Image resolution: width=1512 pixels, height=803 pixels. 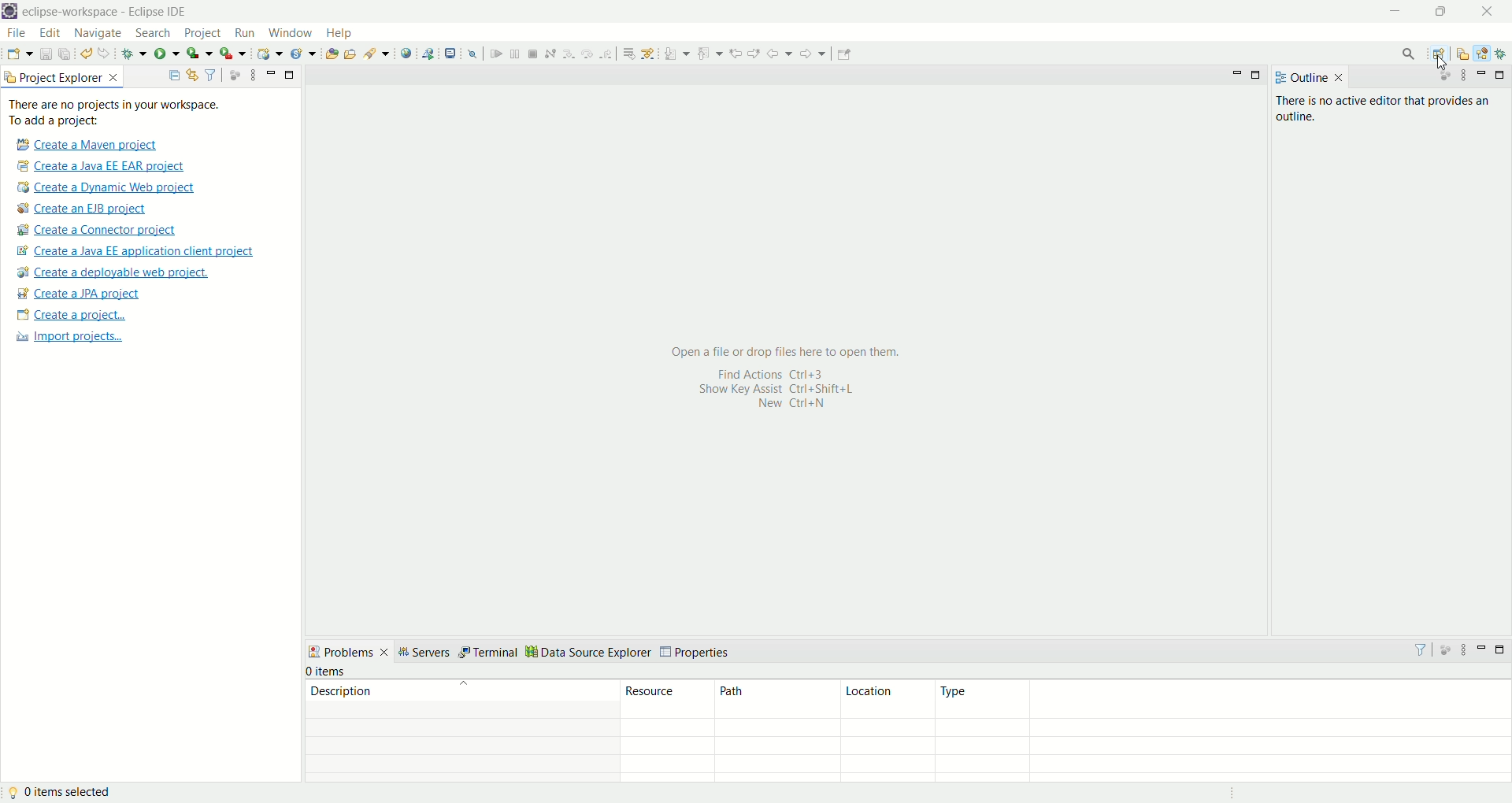 What do you see at coordinates (1482, 649) in the screenshot?
I see `minimize` at bounding box center [1482, 649].